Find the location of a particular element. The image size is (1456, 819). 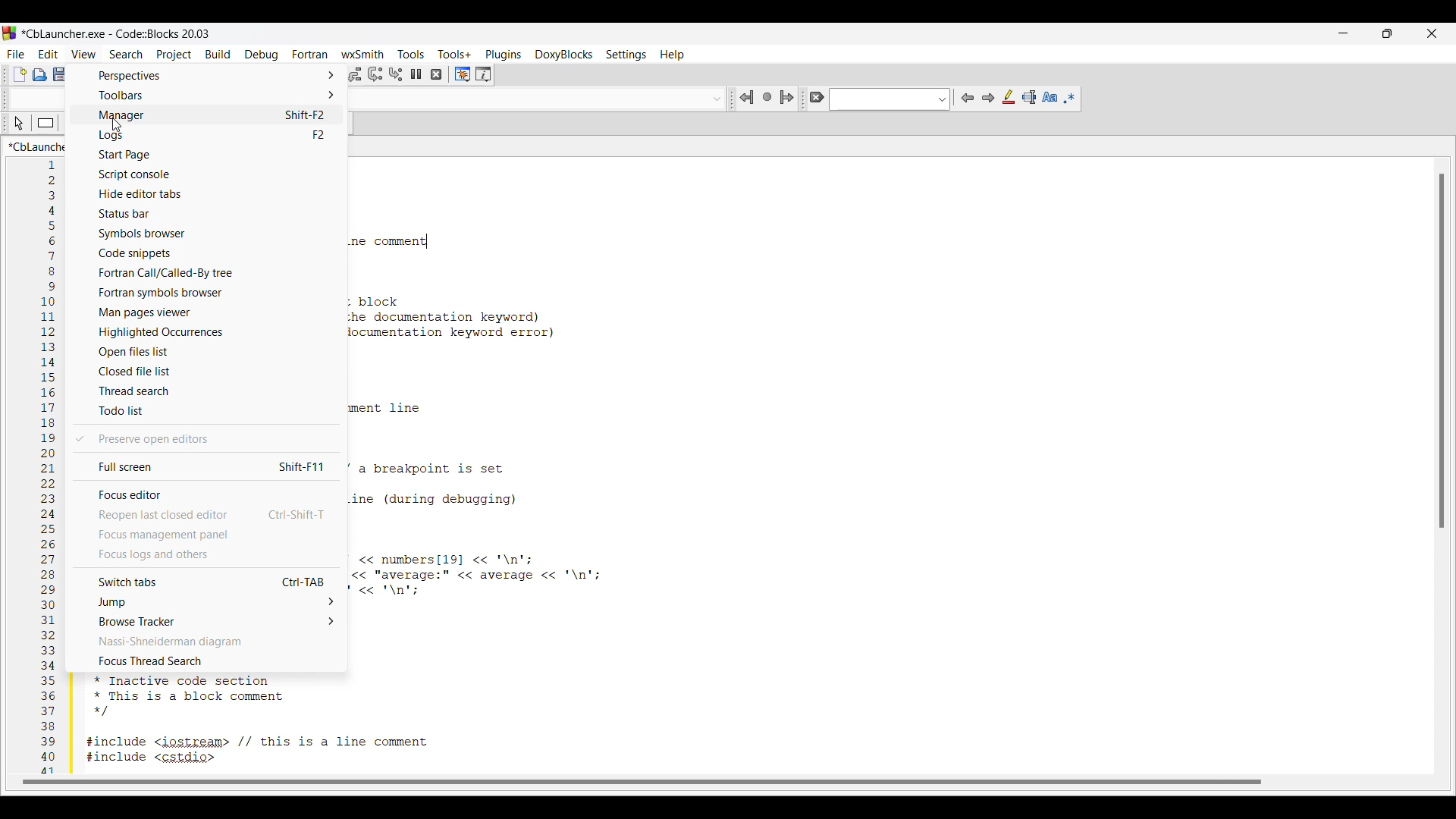

wxSmith menu is located at coordinates (363, 54).